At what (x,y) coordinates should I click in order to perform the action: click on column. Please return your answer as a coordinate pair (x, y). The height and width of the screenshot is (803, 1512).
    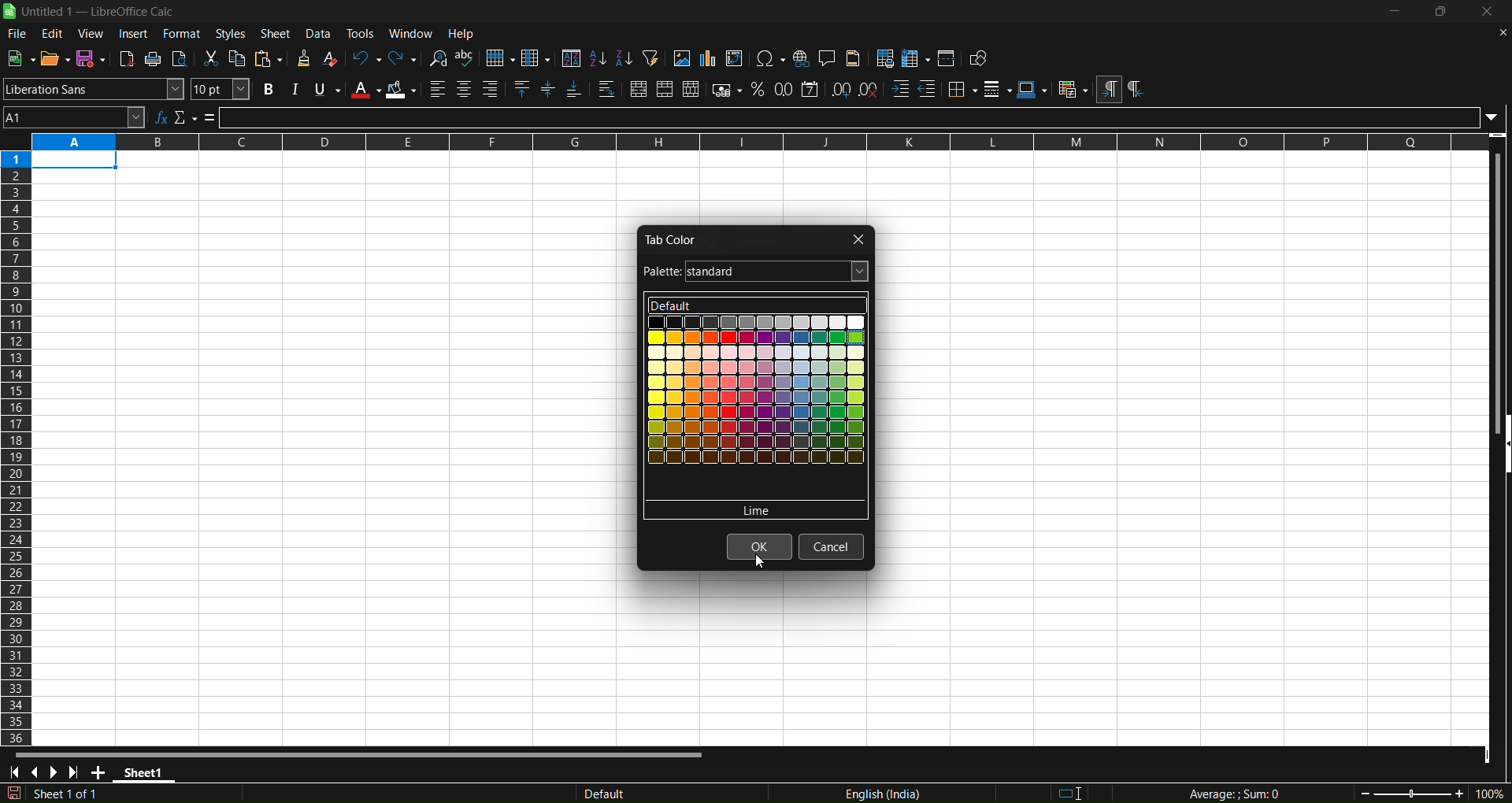
    Looking at the image, I should click on (537, 57).